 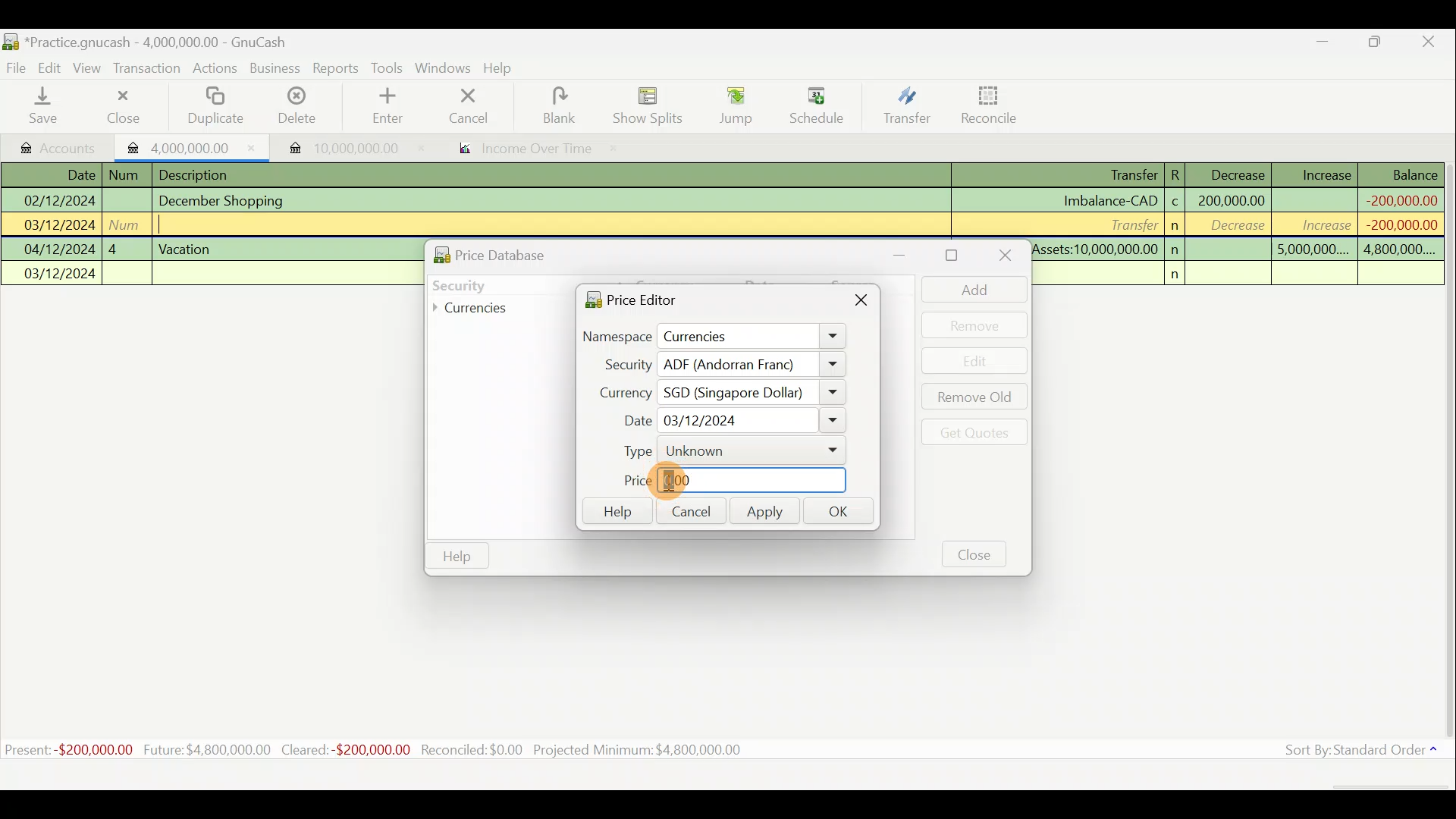 What do you see at coordinates (908, 255) in the screenshot?
I see `Minimise` at bounding box center [908, 255].